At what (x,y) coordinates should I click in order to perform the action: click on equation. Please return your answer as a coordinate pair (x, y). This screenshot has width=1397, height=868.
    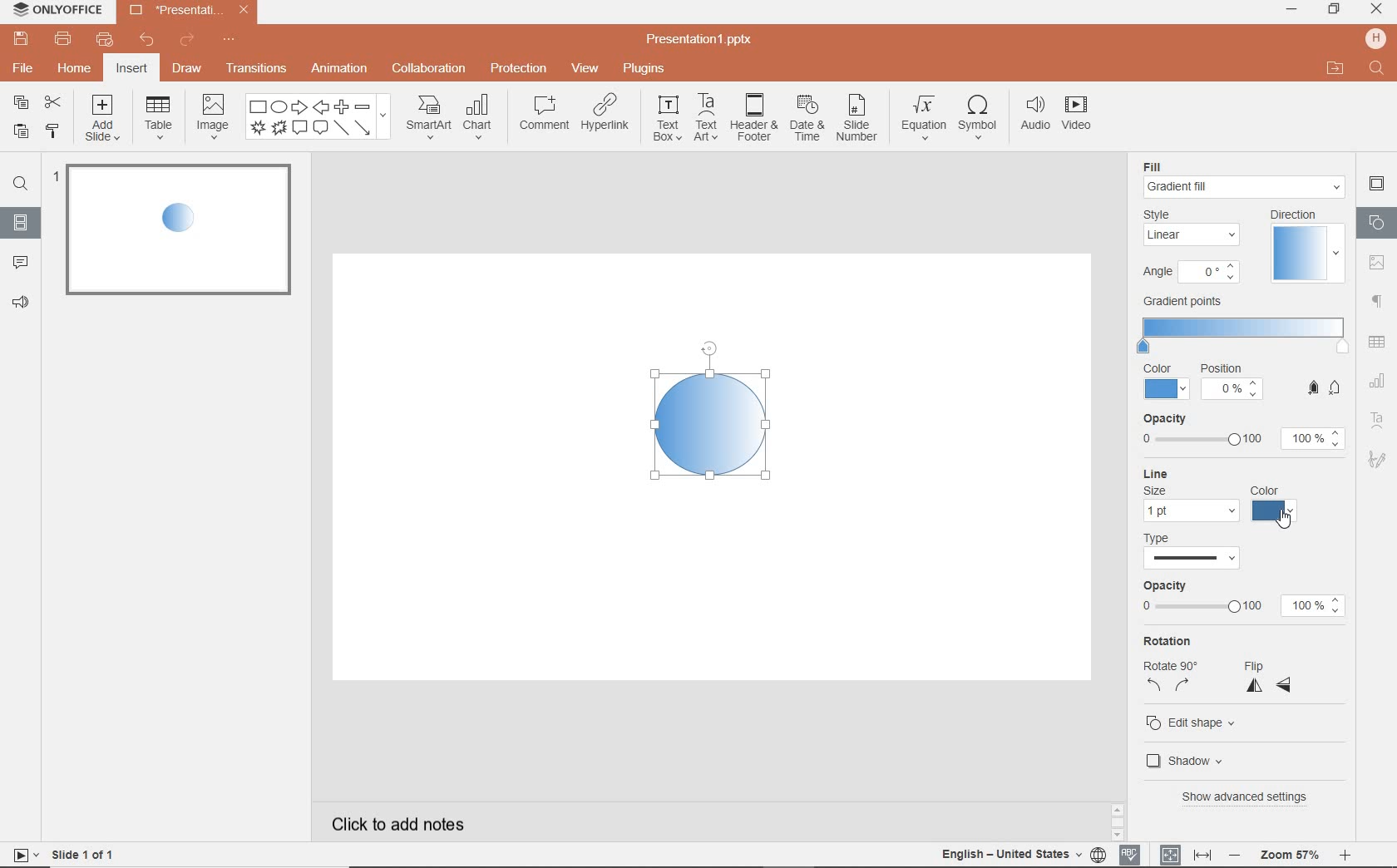
    Looking at the image, I should click on (922, 117).